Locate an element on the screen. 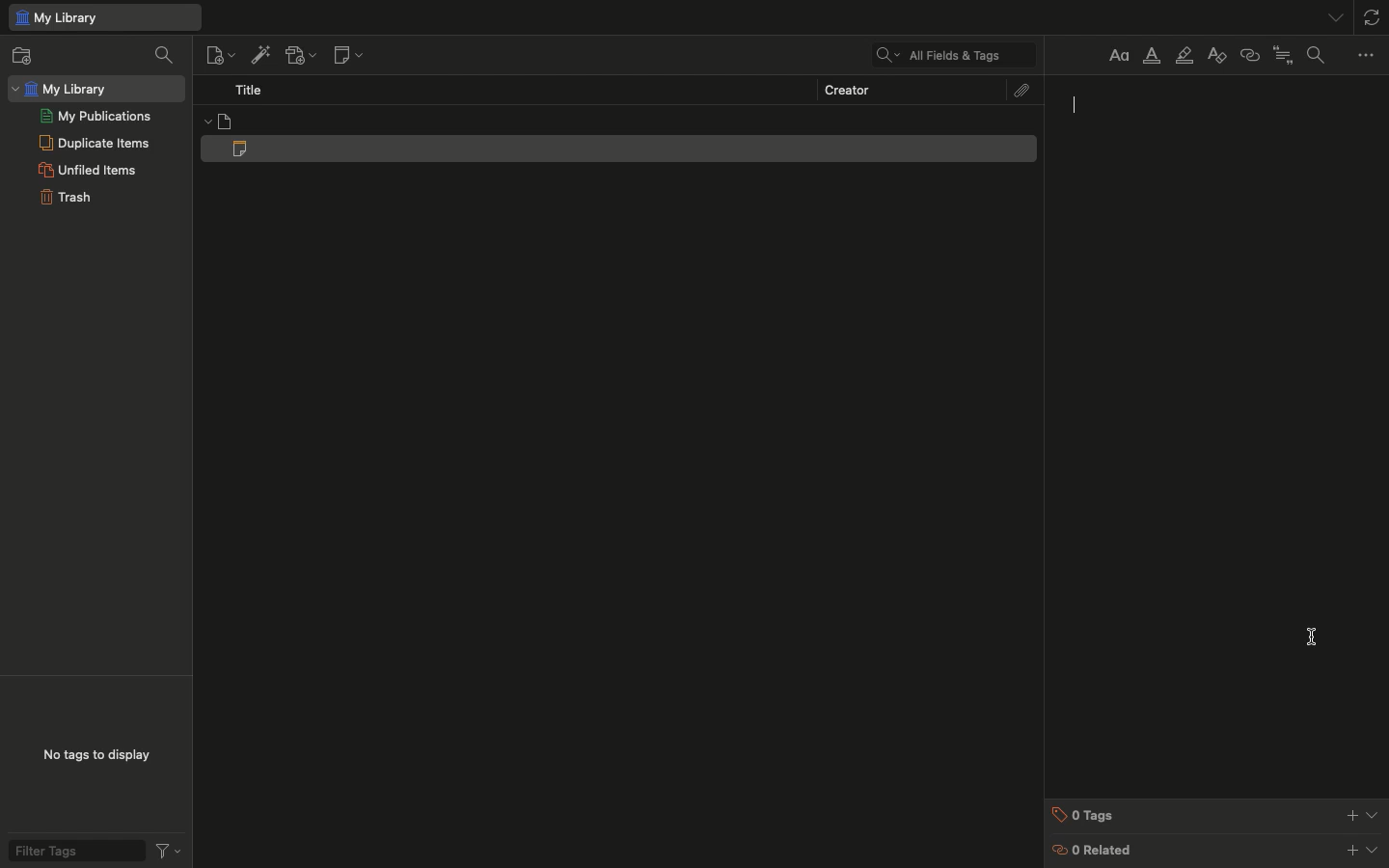 The width and height of the screenshot is (1389, 868). New collection is located at coordinates (30, 55).